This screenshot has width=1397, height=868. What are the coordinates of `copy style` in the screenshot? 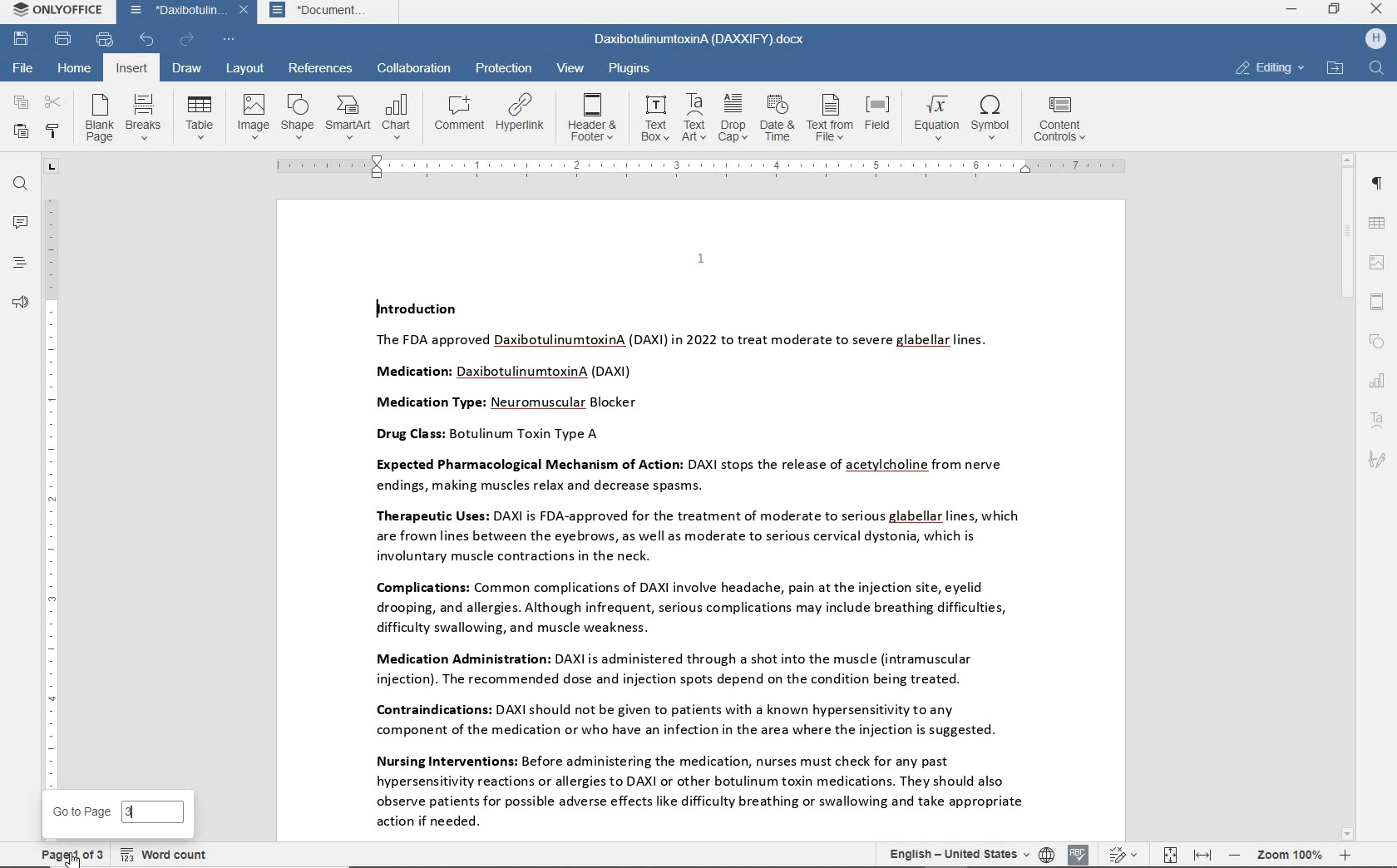 It's located at (54, 131).